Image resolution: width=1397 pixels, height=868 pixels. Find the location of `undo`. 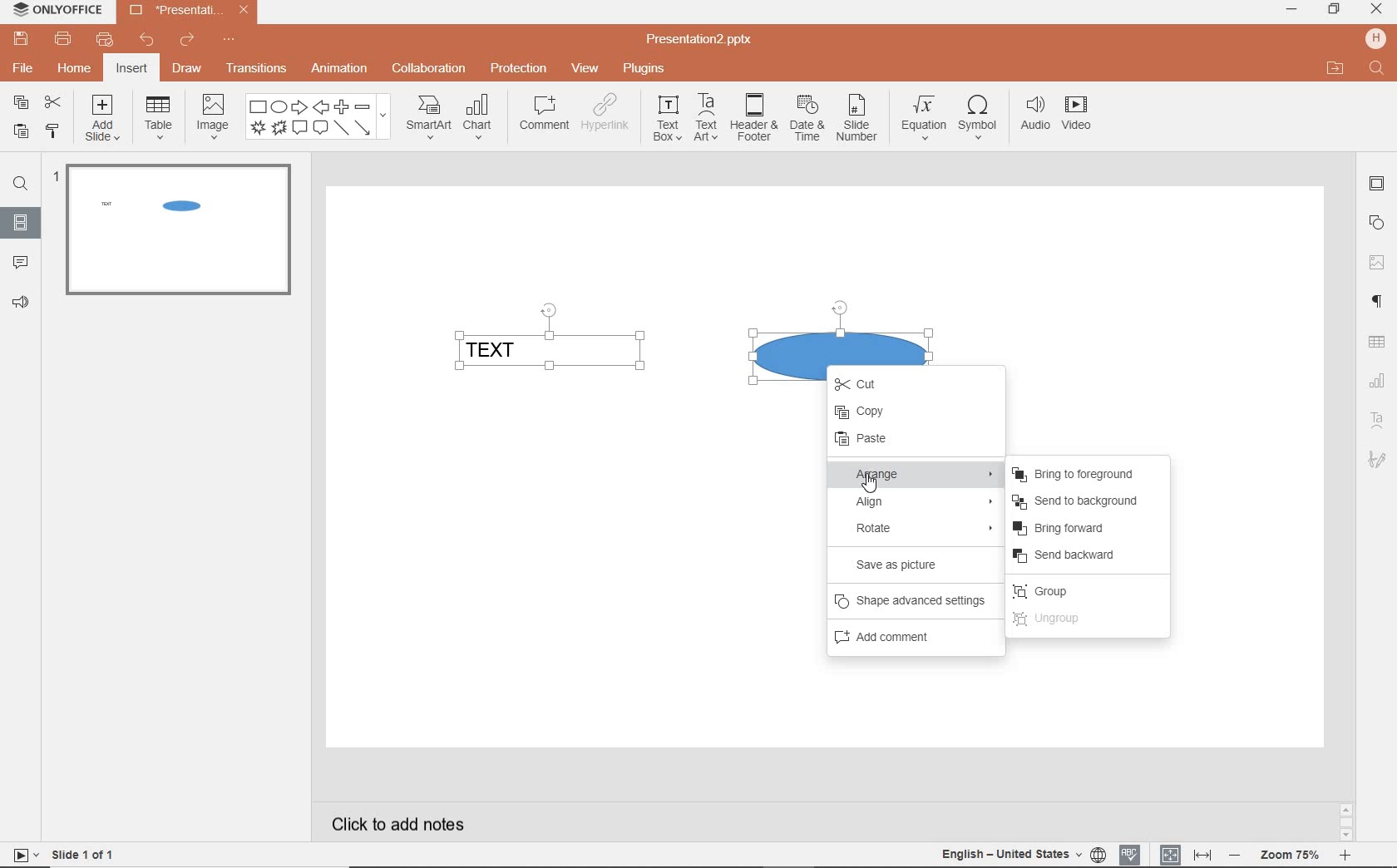

undo is located at coordinates (141, 41).